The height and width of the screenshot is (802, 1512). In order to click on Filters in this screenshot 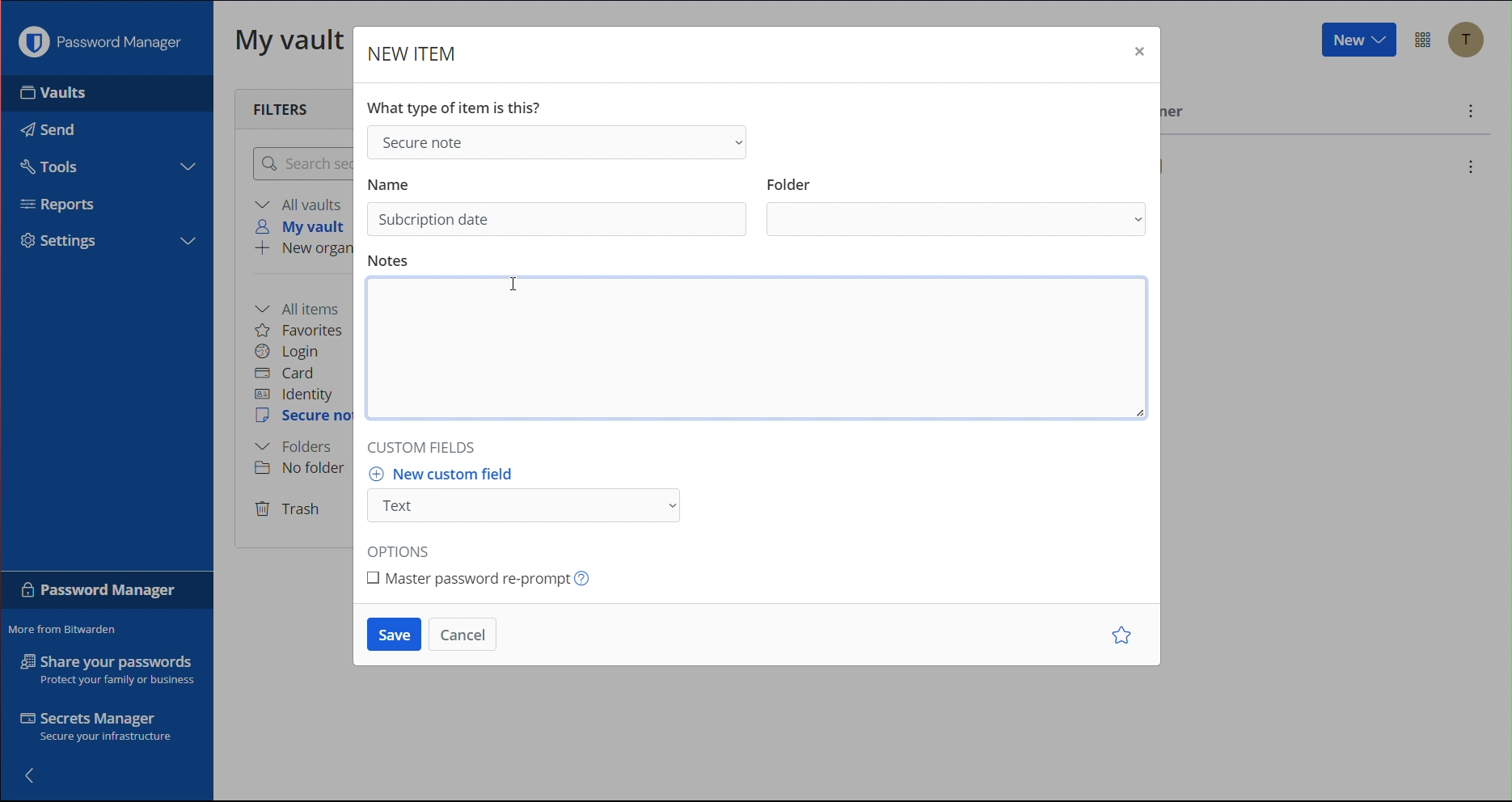, I will do `click(285, 108)`.